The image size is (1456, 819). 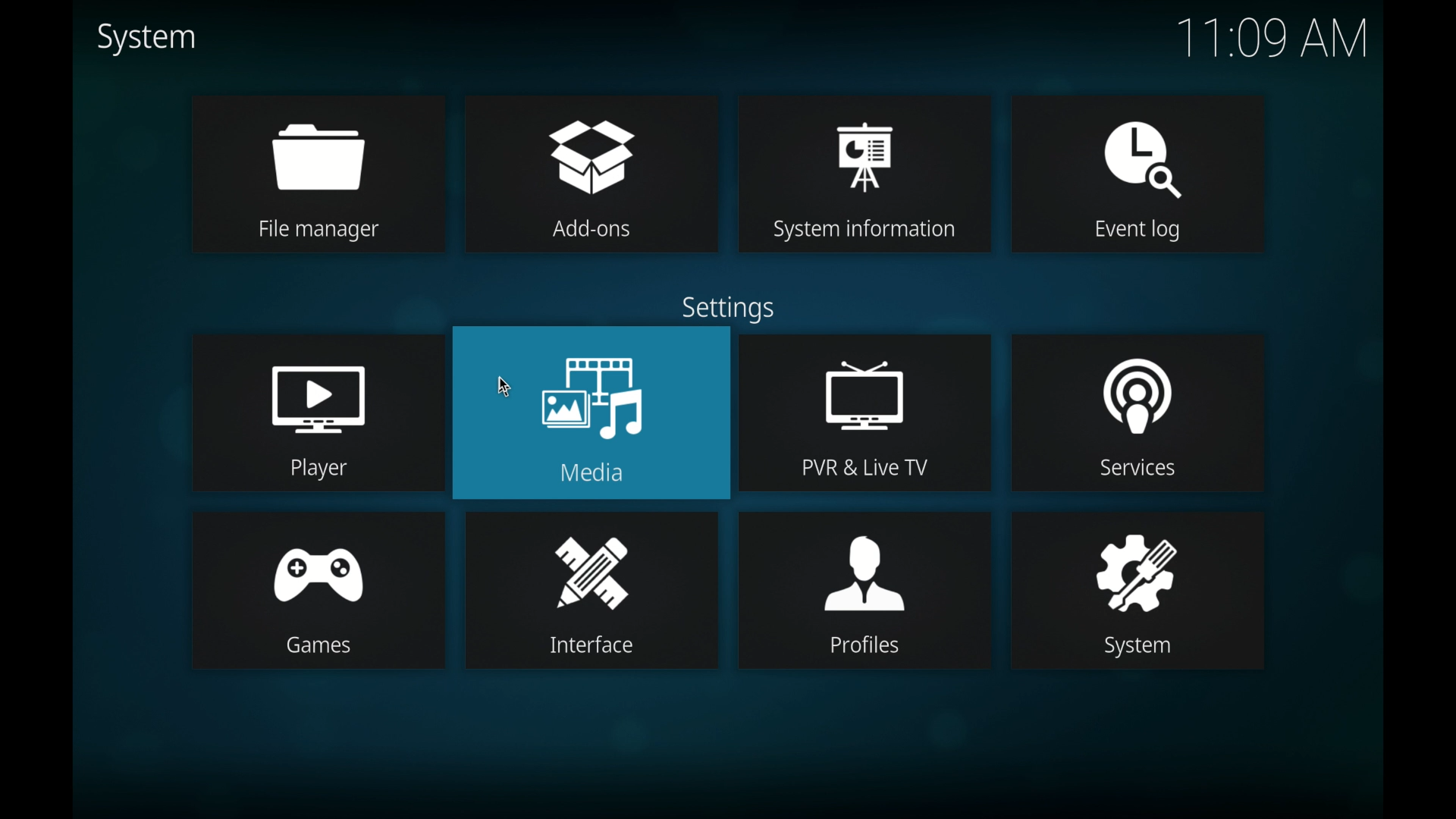 What do you see at coordinates (591, 590) in the screenshot?
I see `interface` at bounding box center [591, 590].